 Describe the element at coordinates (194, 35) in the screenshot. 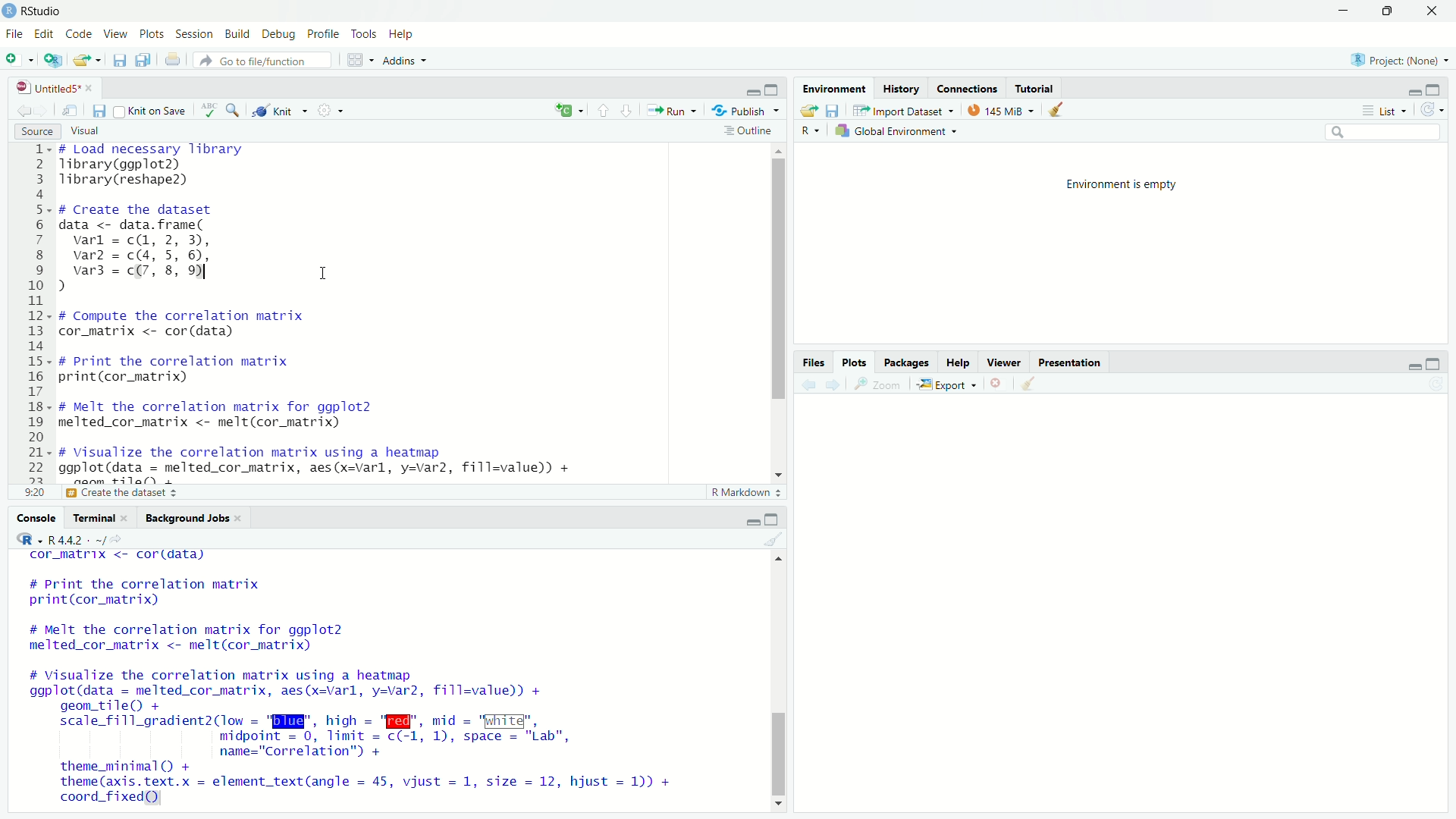

I see `session` at that location.